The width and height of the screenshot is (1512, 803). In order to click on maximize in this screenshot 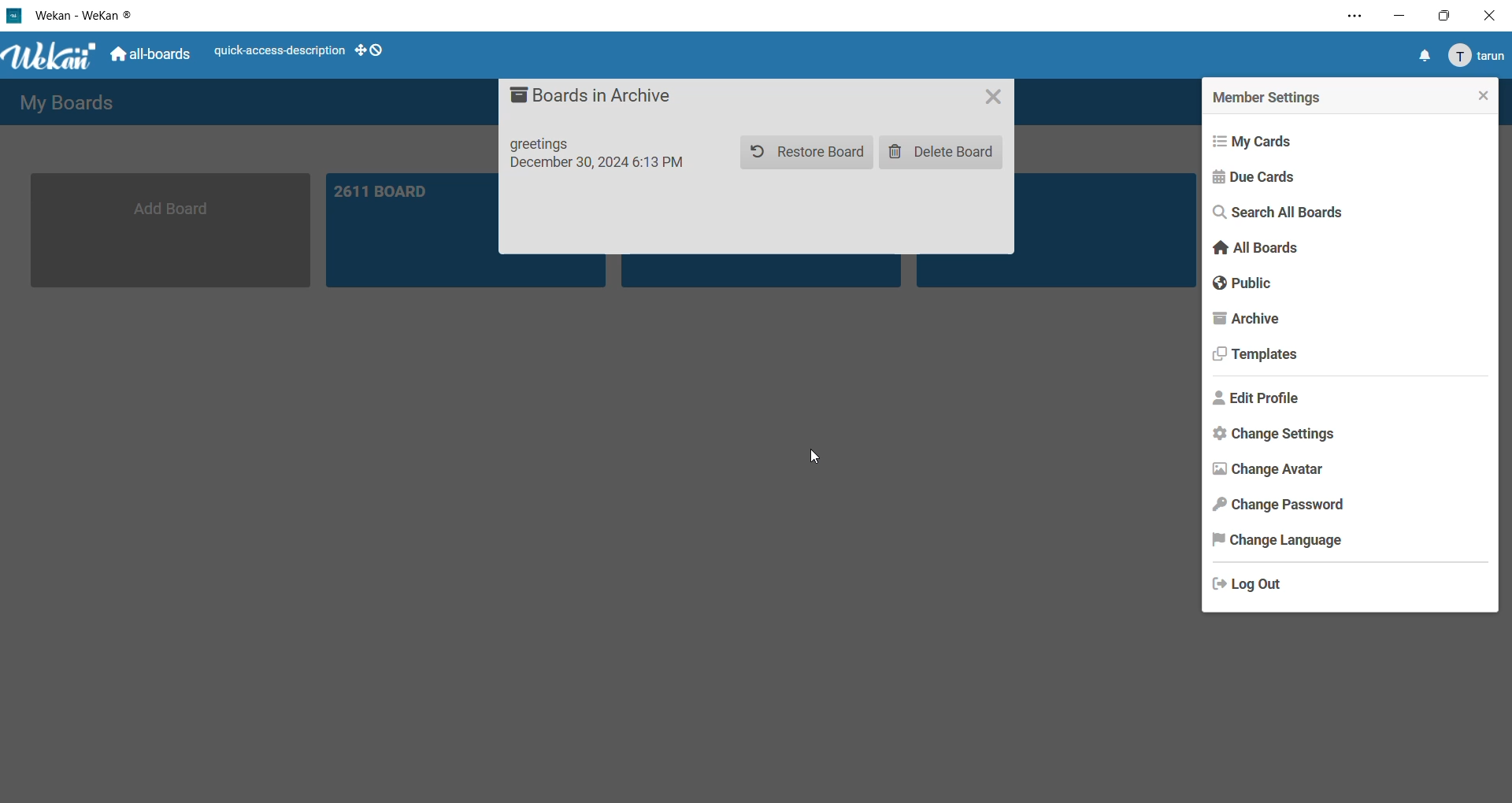, I will do `click(1450, 16)`.